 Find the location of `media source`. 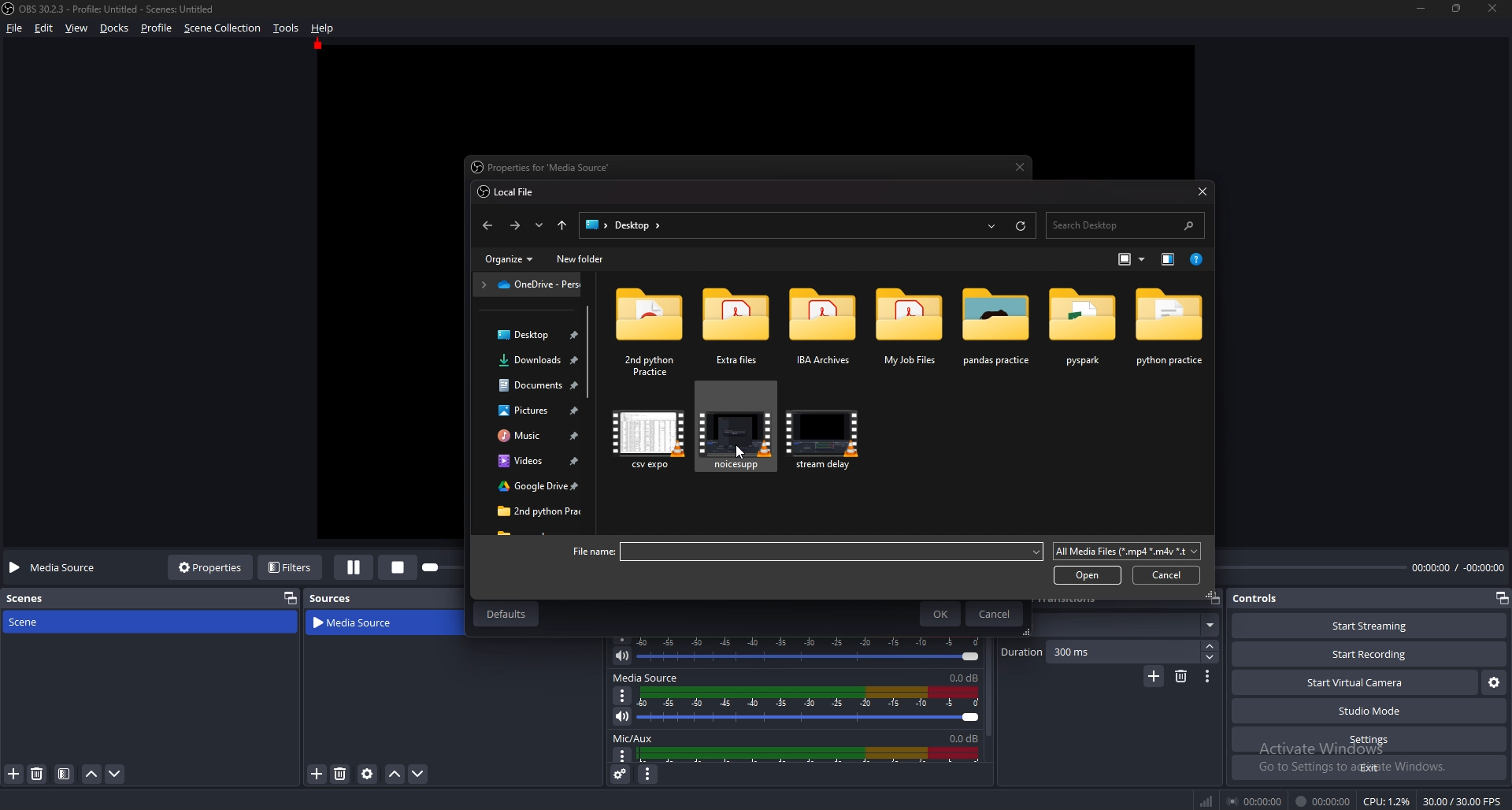

media source is located at coordinates (364, 623).